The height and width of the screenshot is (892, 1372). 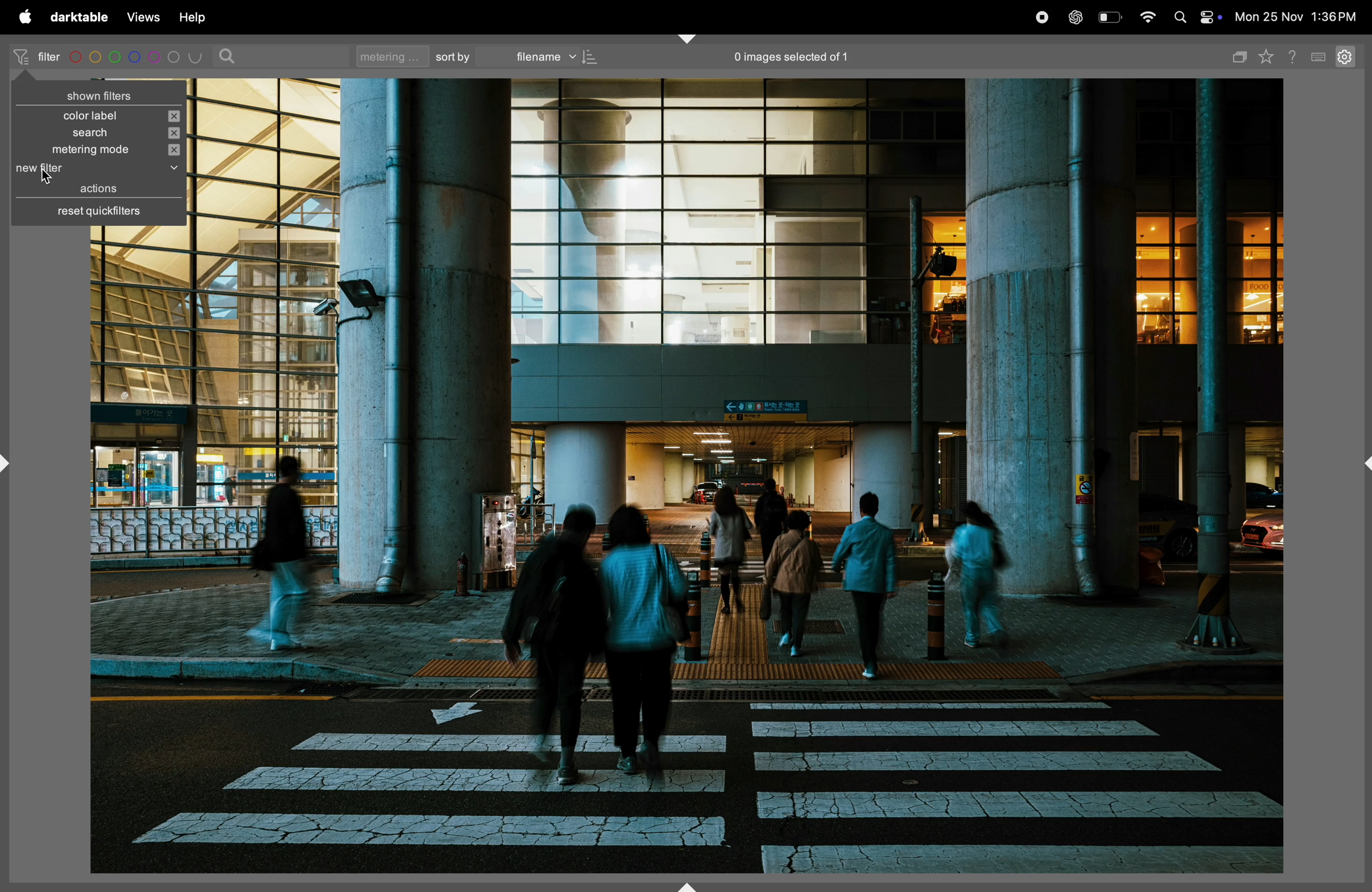 I want to click on color code, so click(x=137, y=56).